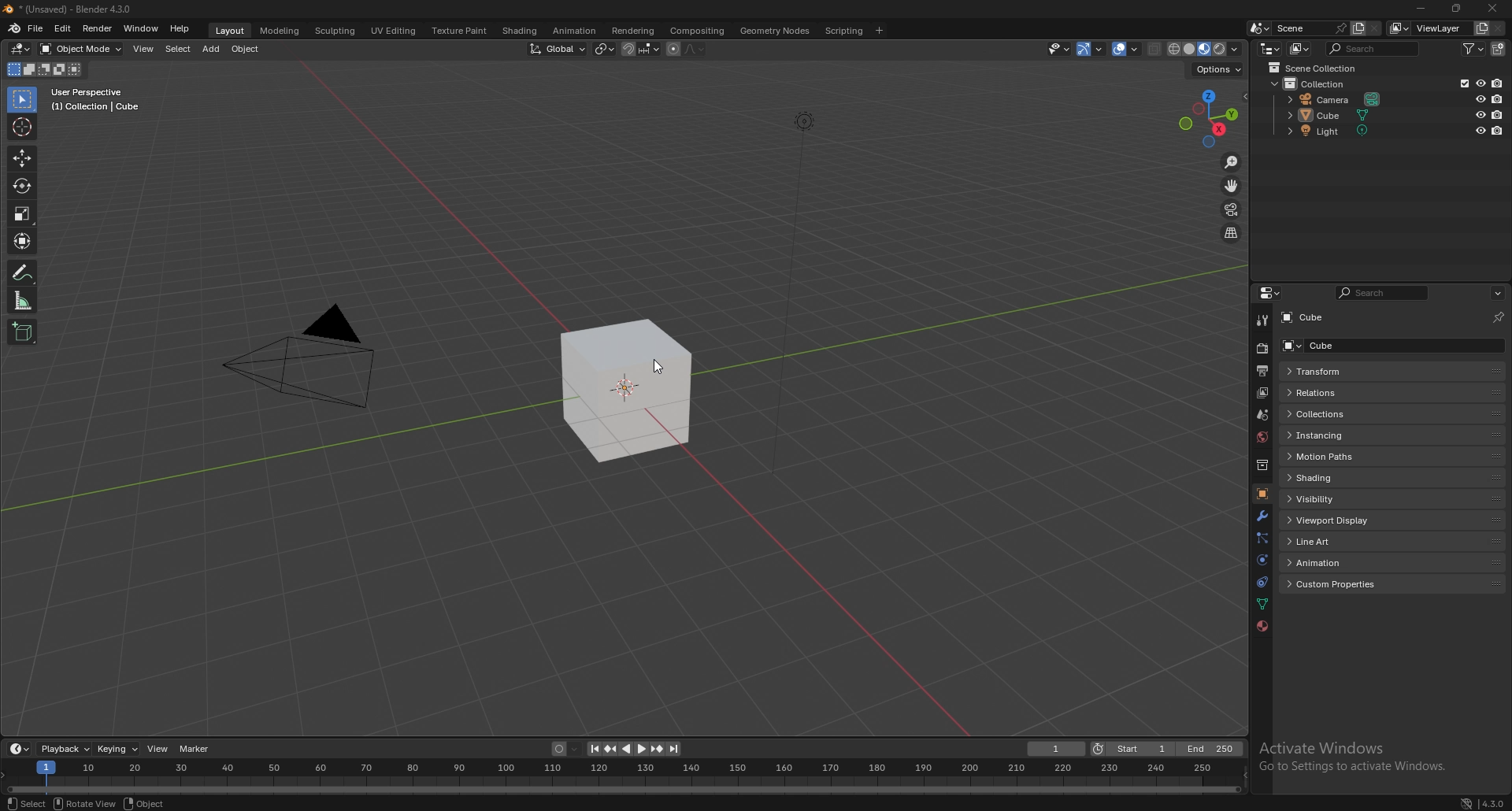 This screenshot has height=811, width=1512. Describe the element at coordinates (605, 48) in the screenshot. I see `median point` at that location.